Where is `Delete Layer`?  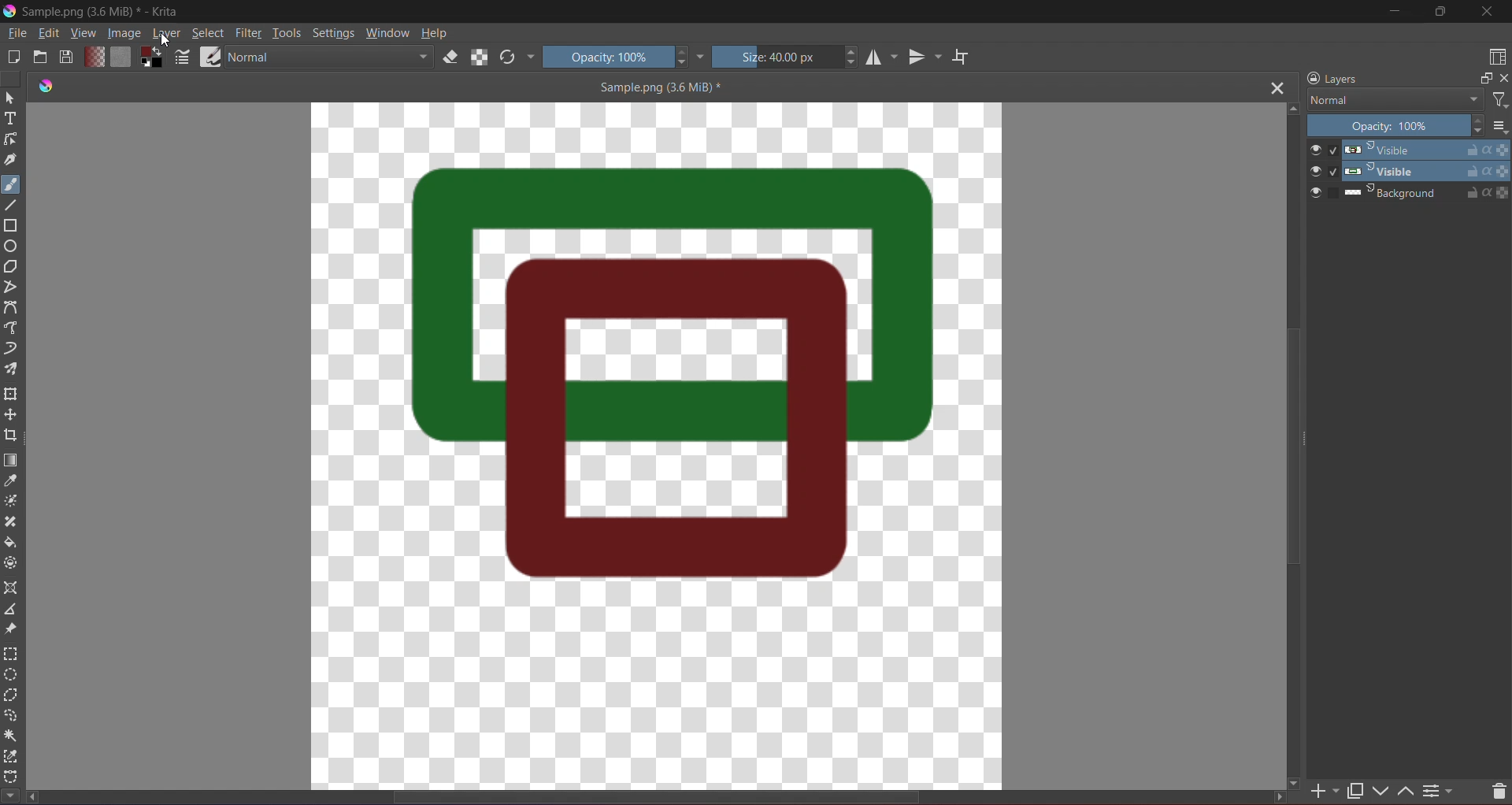
Delete Layer is located at coordinates (1492, 787).